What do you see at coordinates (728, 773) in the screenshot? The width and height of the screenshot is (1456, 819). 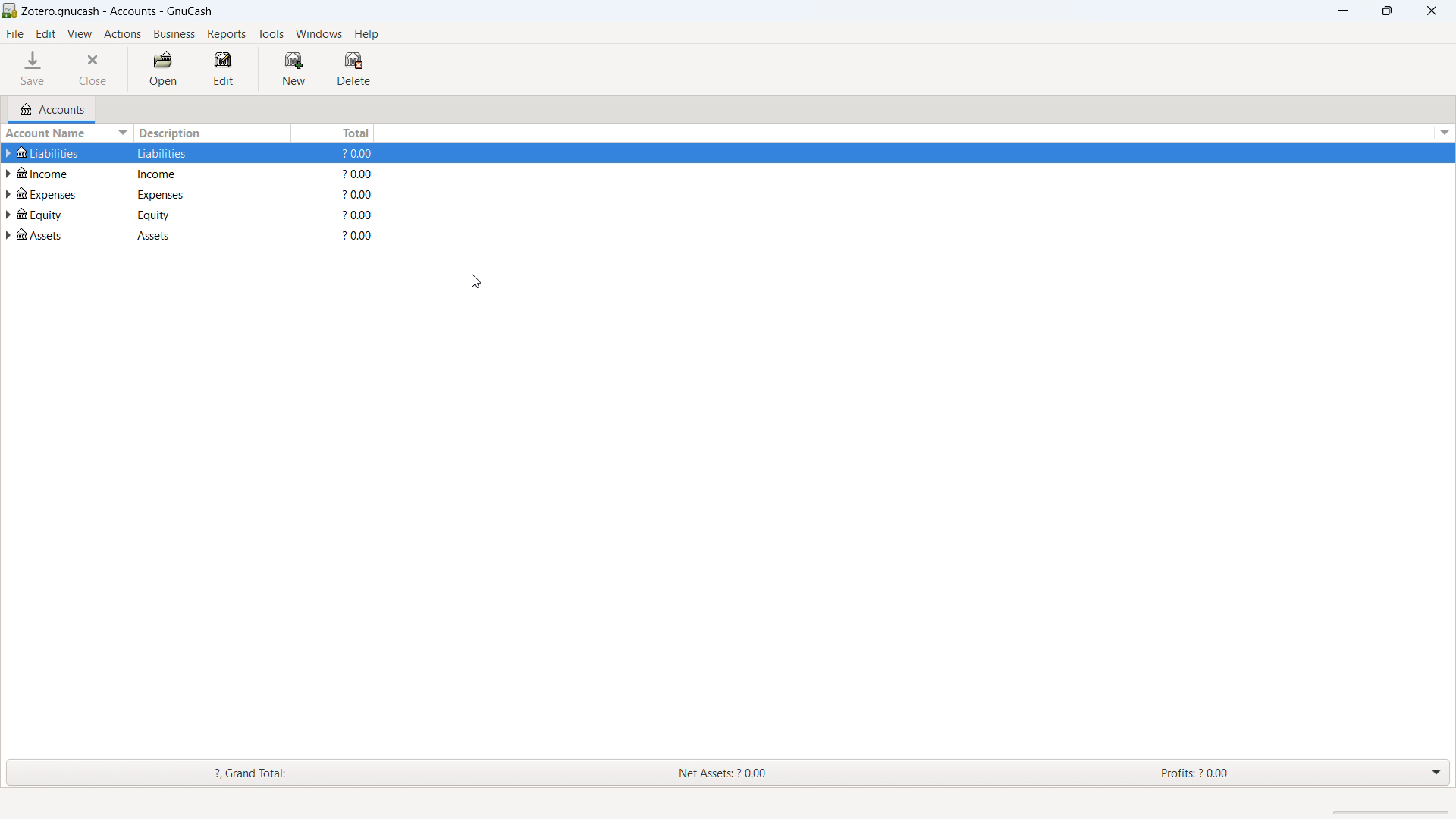 I see `grand total, net assets and profits` at bounding box center [728, 773].